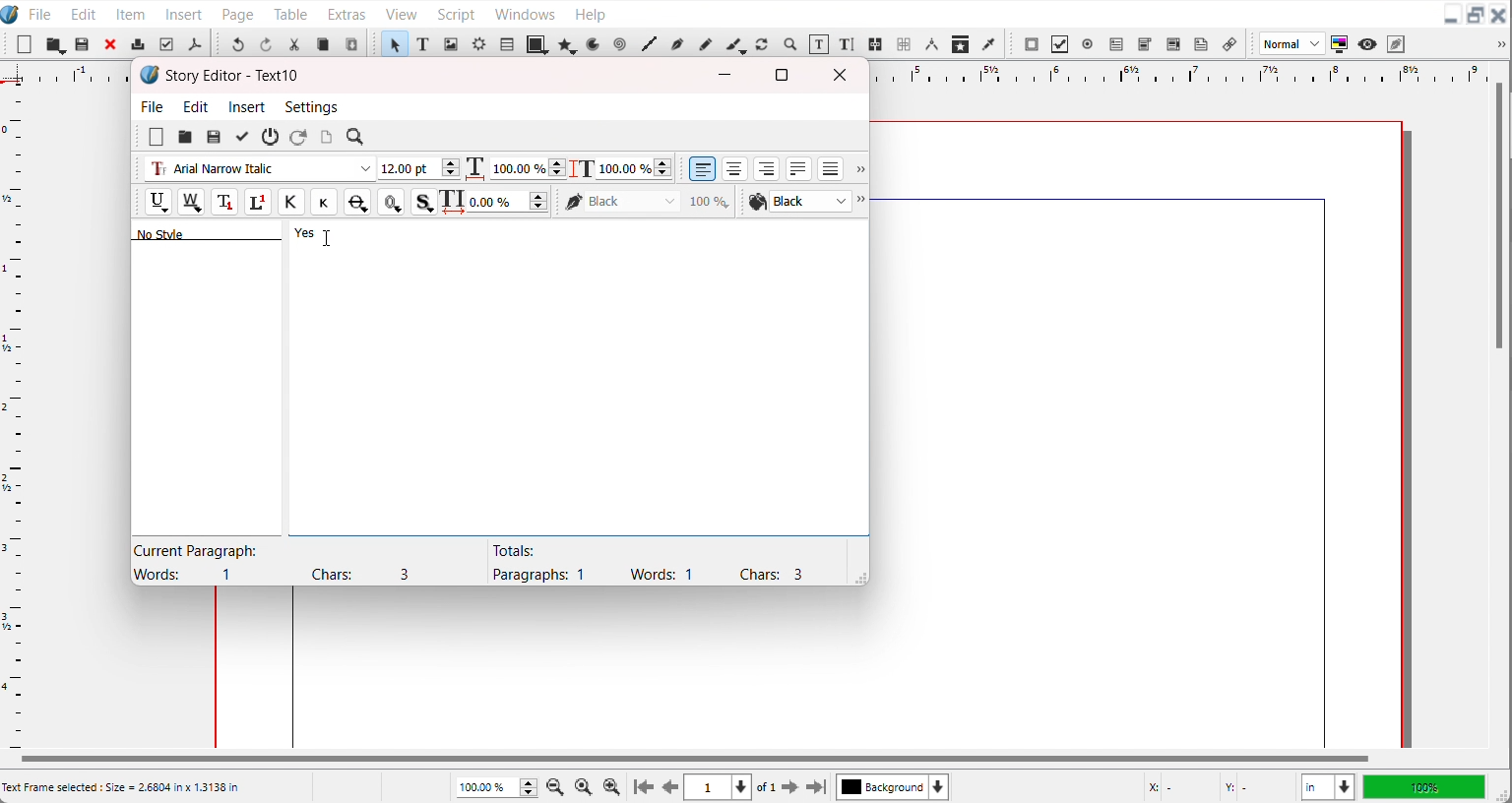 The width and height of the screenshot is (1512, 803). Describe the element at coordinates (184, 138) in the screenshot. I see `open` at that location.